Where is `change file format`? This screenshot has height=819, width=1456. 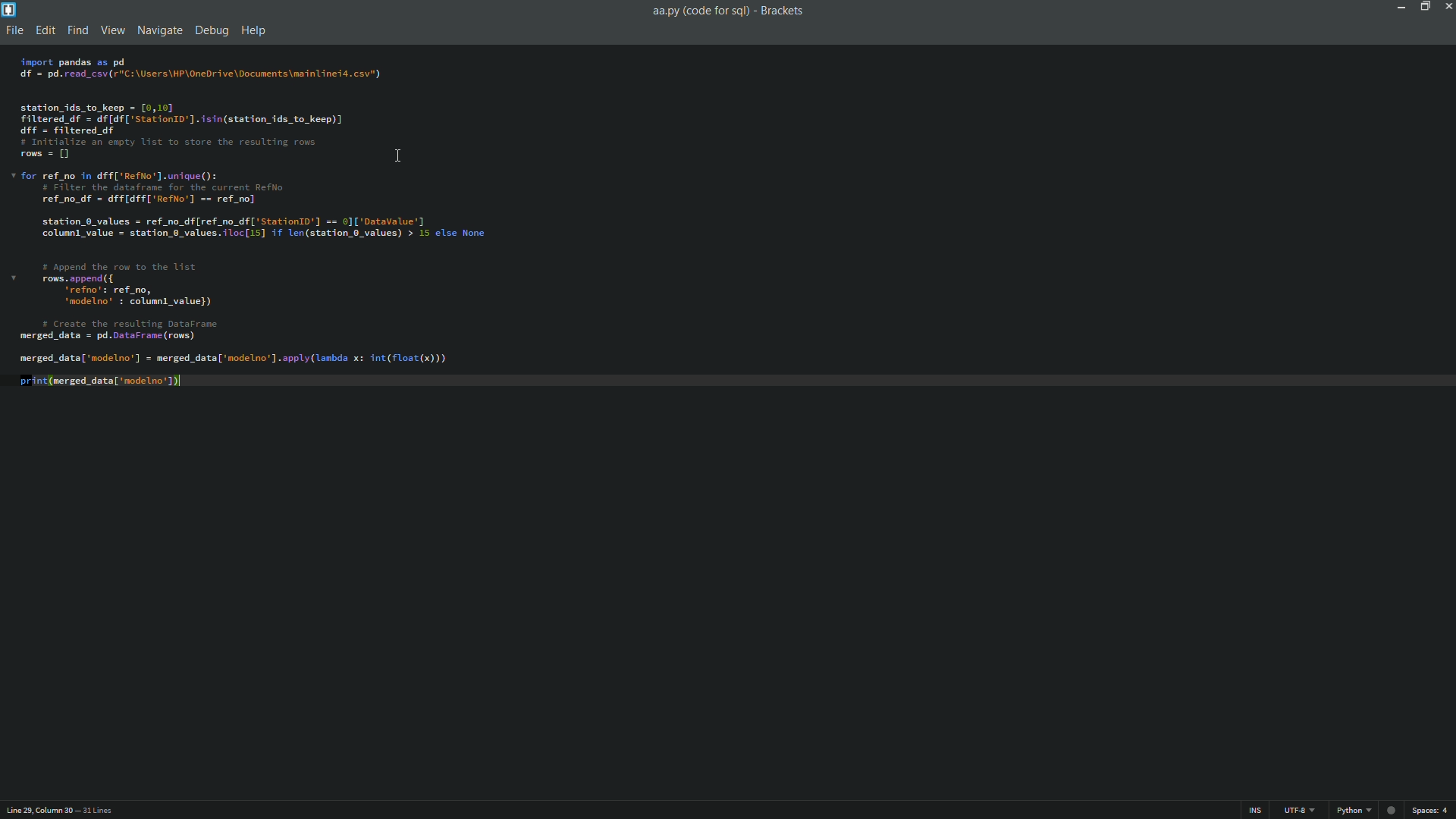 change file format is located at coordinates (1353, 809).